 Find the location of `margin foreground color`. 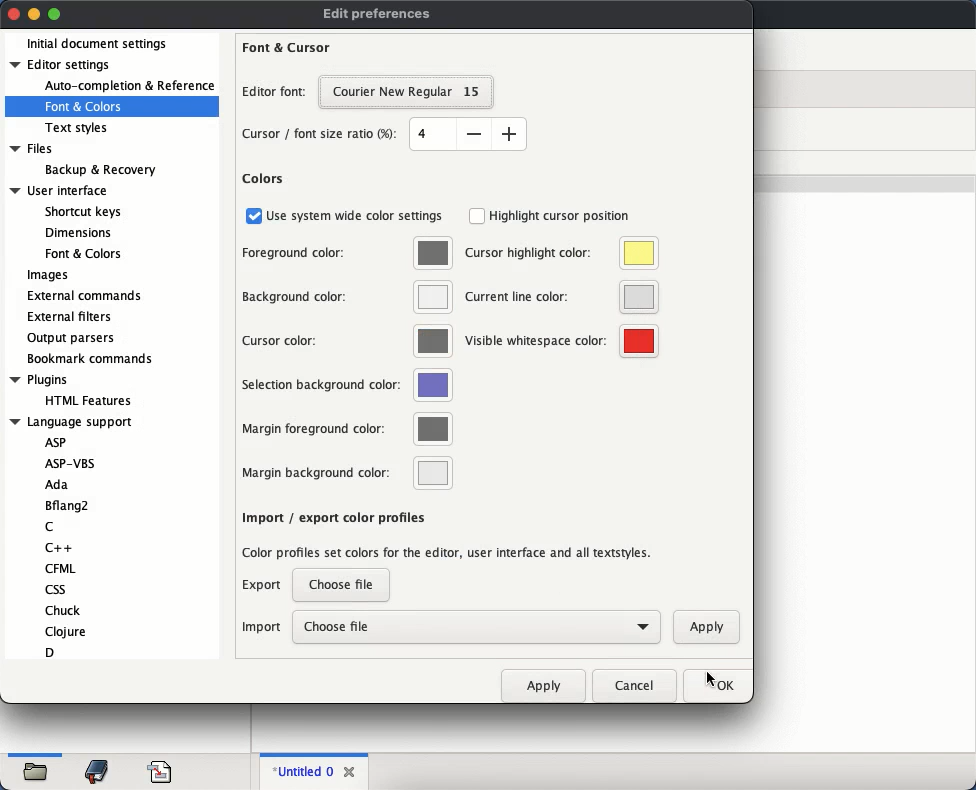

margin foreground color is located at coordinates (344, 428).